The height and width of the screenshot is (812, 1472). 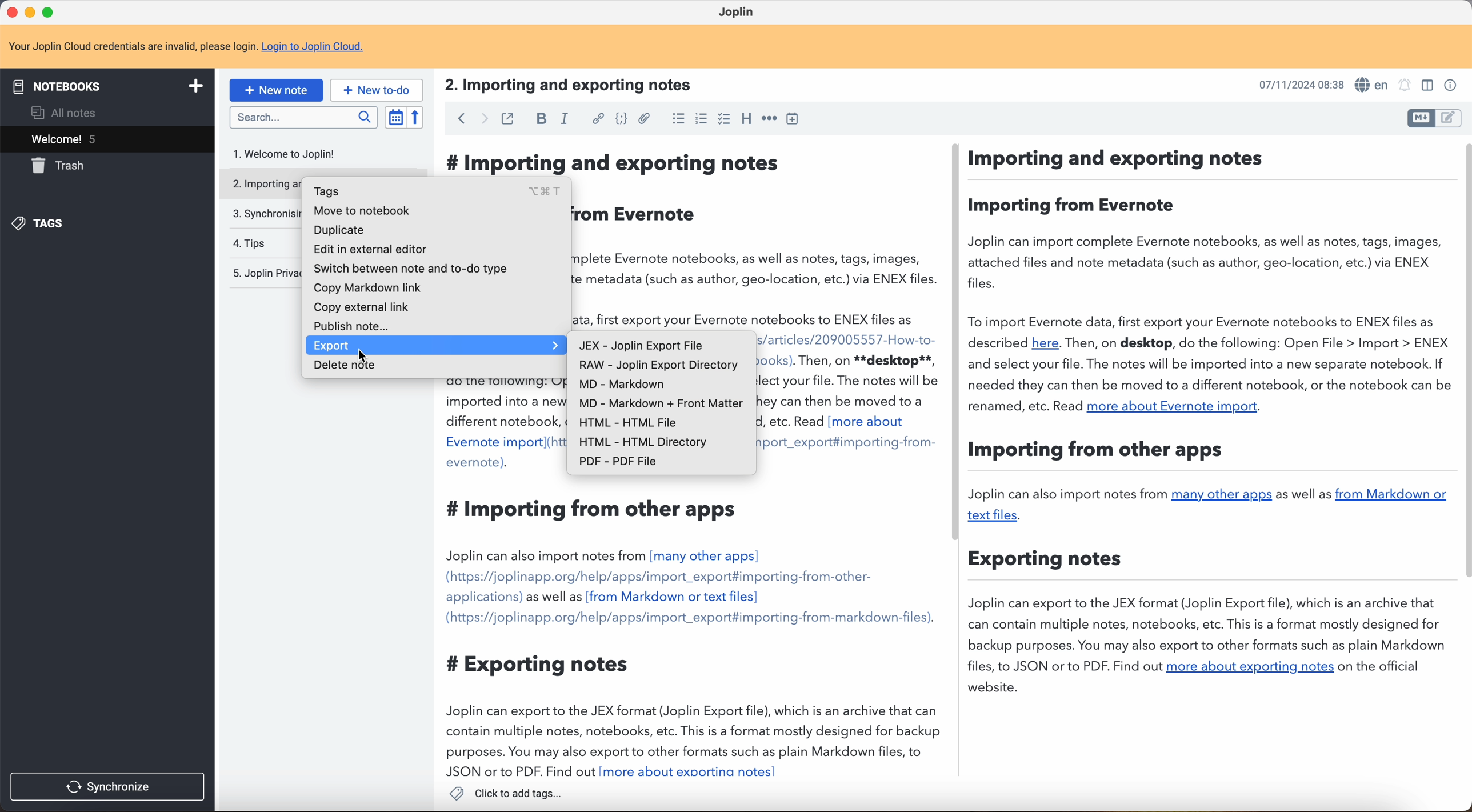 I want to click on search bar, so click(x=303, y=117).